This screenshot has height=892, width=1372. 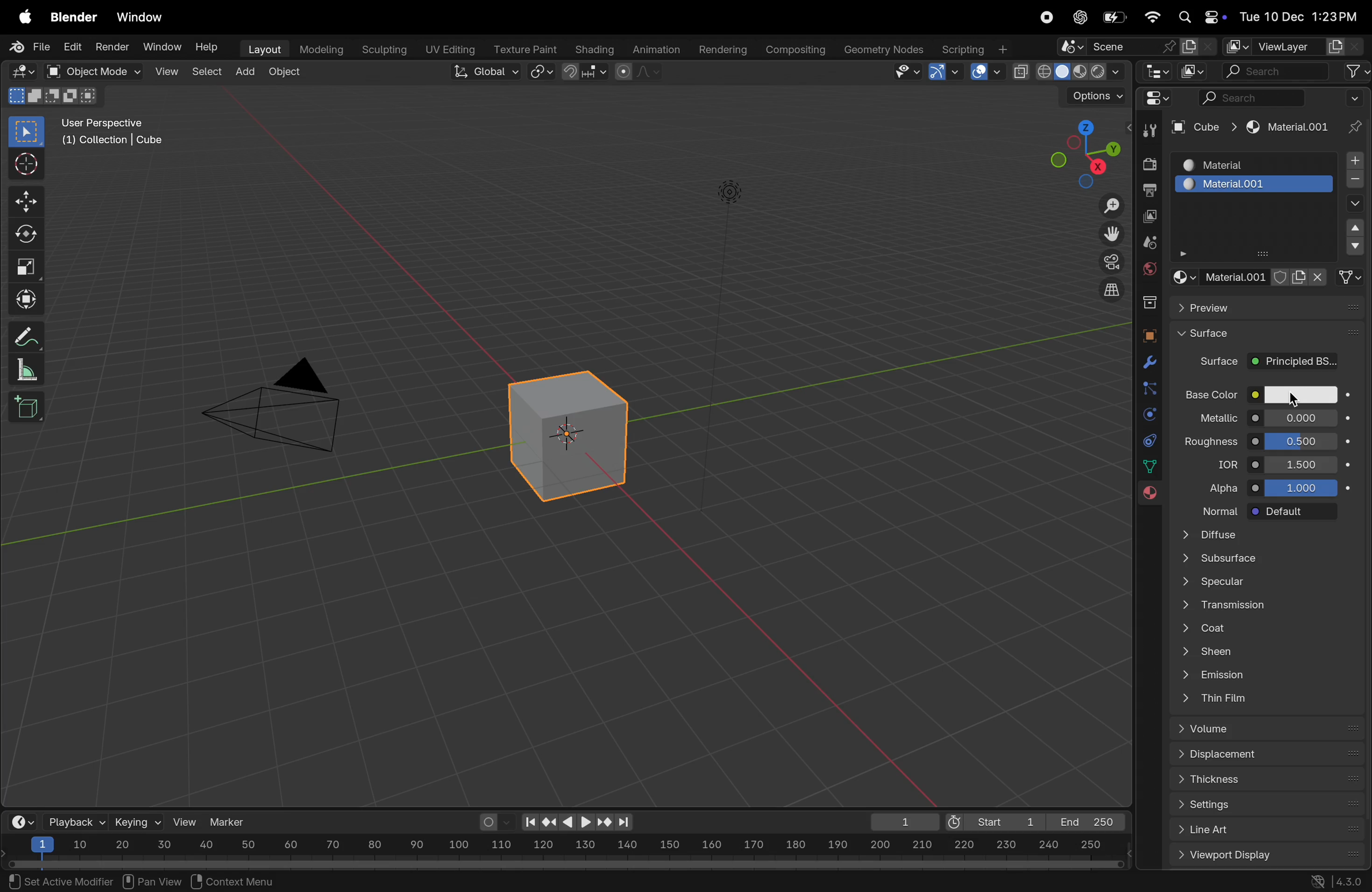 I want to click on material, so click(x=1252, y=163).